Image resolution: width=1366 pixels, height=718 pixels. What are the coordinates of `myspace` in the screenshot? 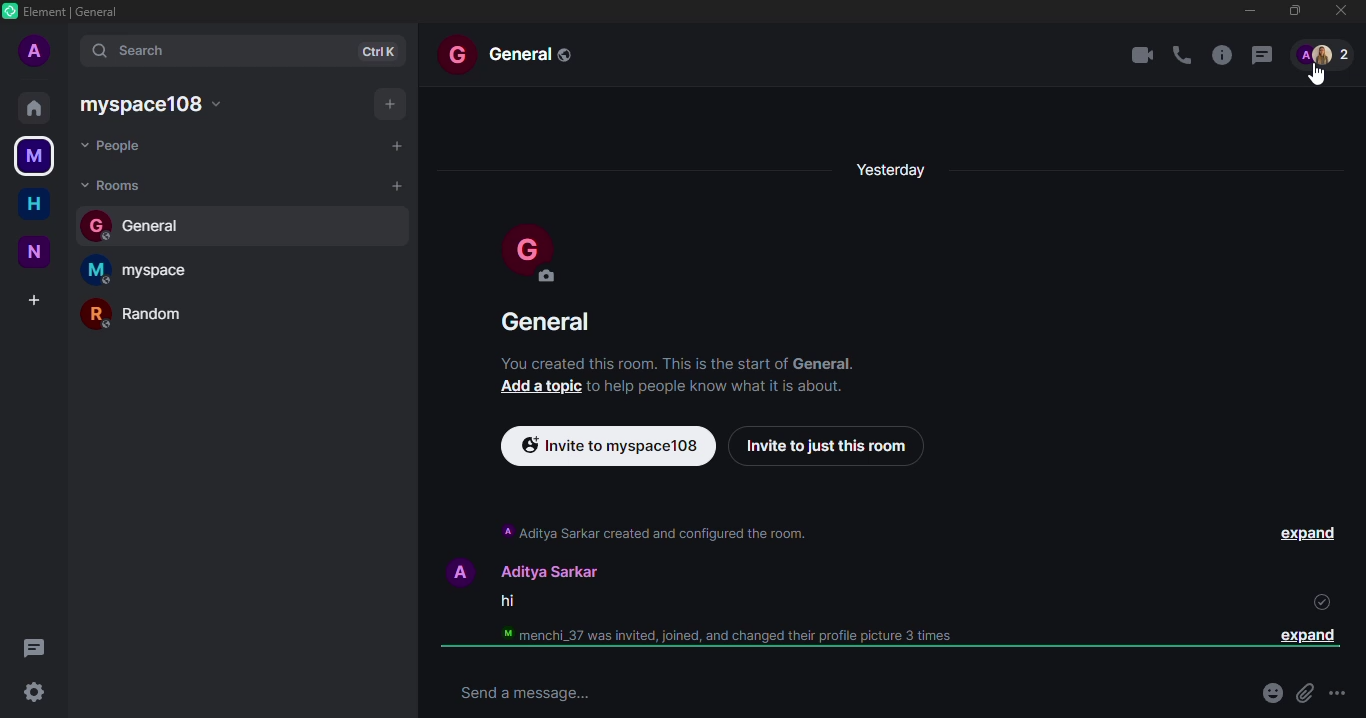 It's located at (34, 154).